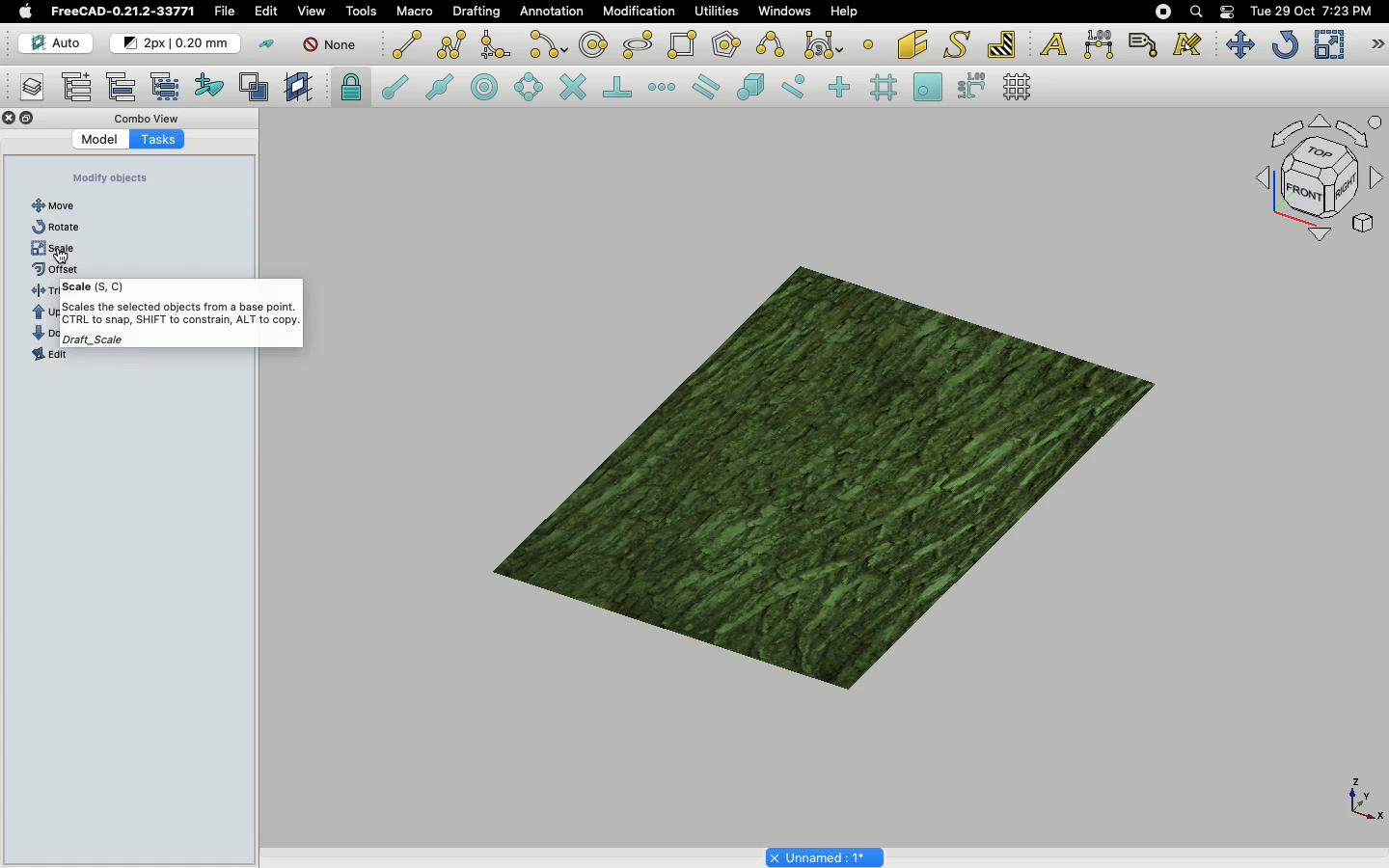 Image resolution: width=1389 pixels, height=868 pixels. I want to click on Snap perpendicular, so click(614, 86).